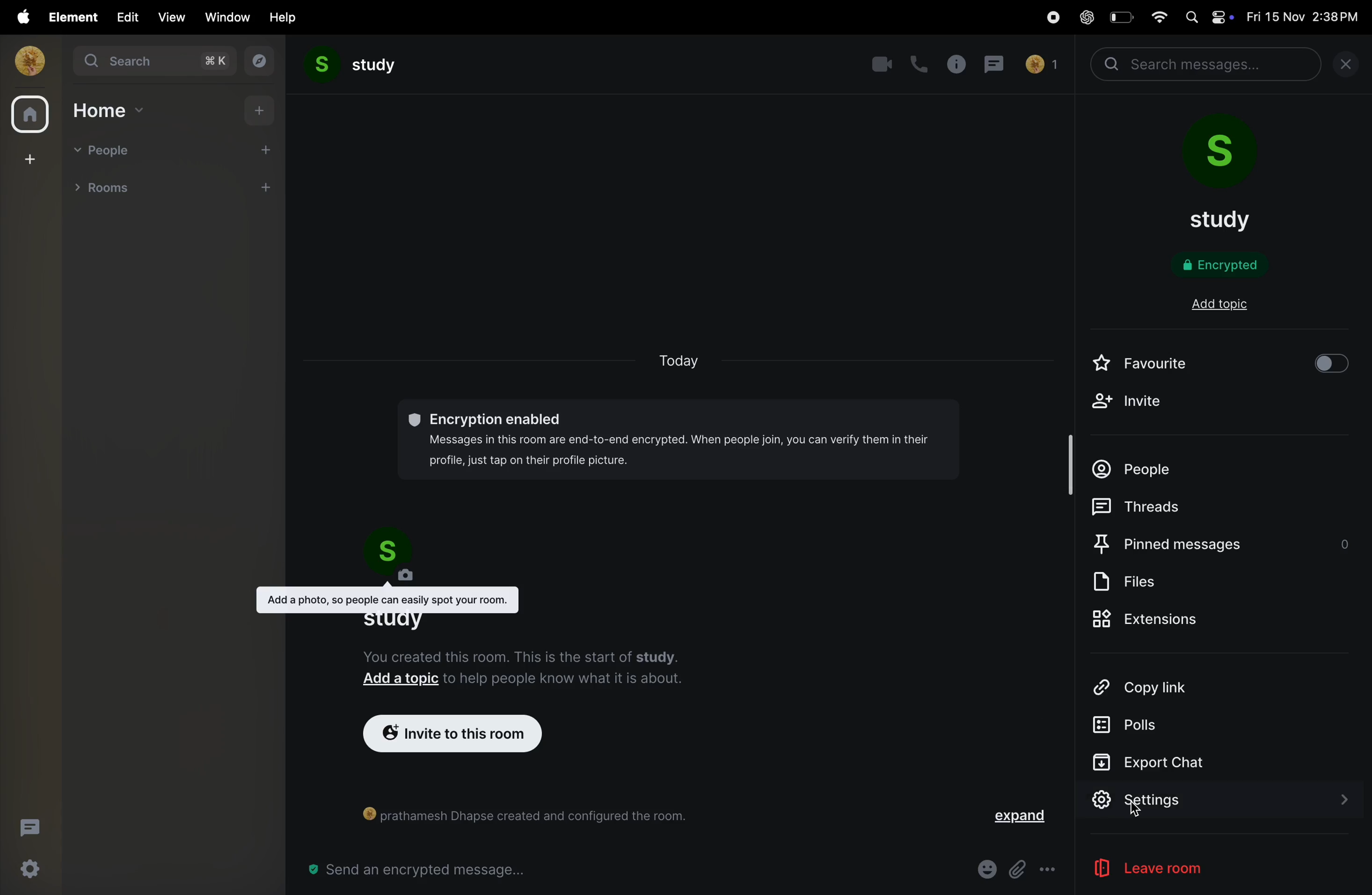  What do you see at coordinates (1208, 16) in the screenshot?
I see `apple widgets` at bounding box center [1208, 16].